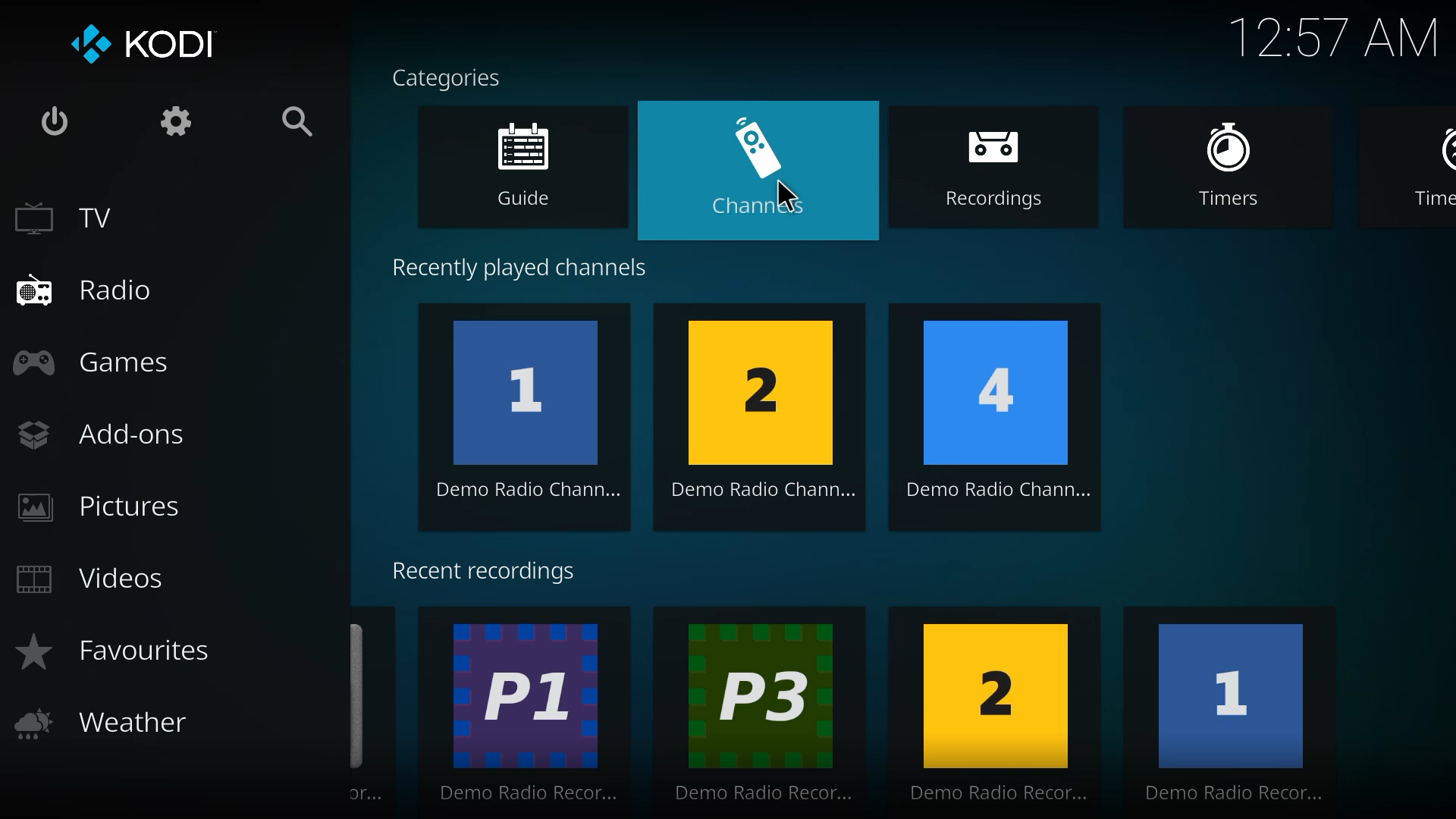 The width and height of the screenshot is (1456, 819). I want to click on pictures, so click(102, 507).